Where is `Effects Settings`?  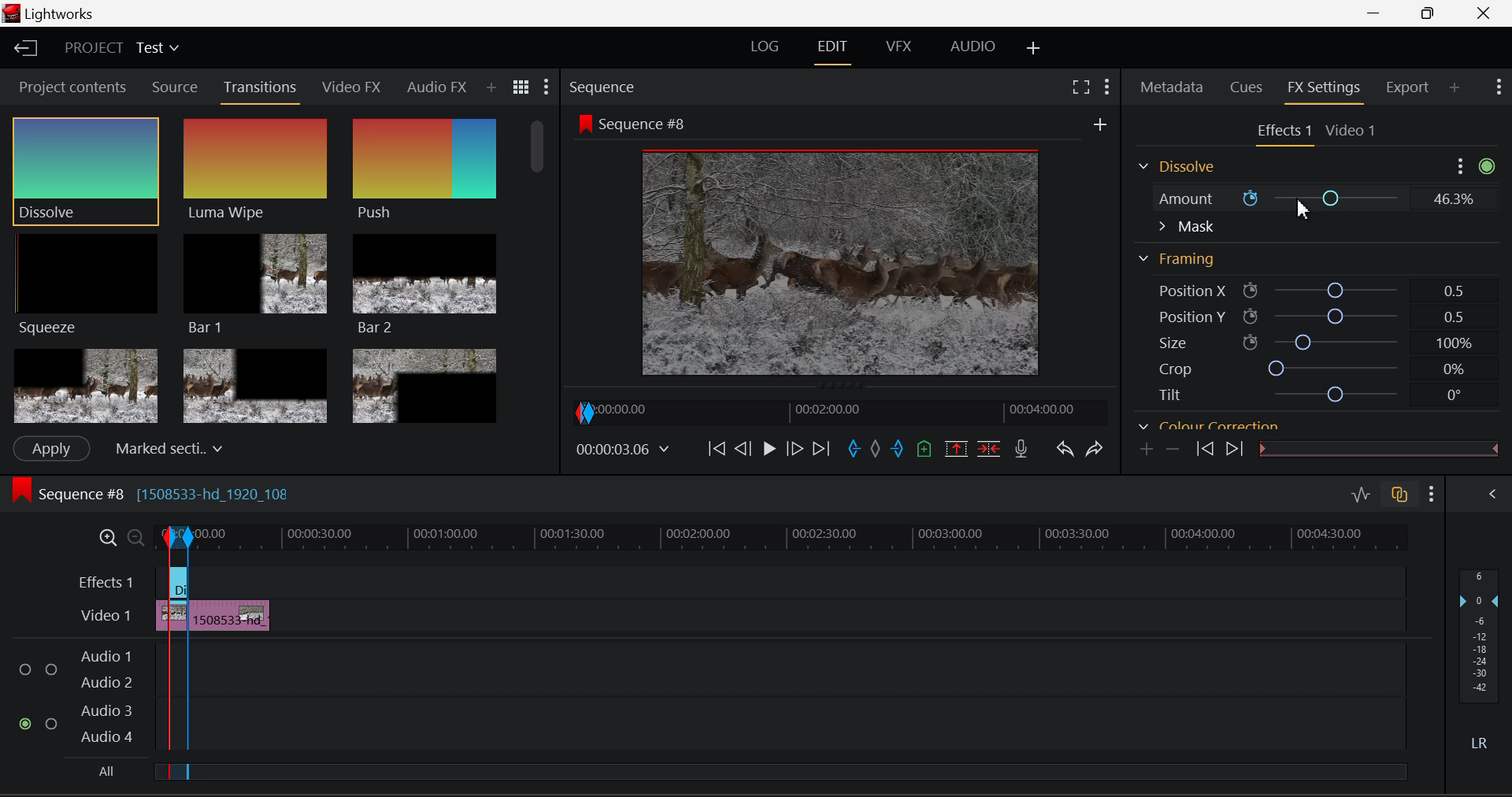
Effects Settings is located at coordinates (1281, 132).